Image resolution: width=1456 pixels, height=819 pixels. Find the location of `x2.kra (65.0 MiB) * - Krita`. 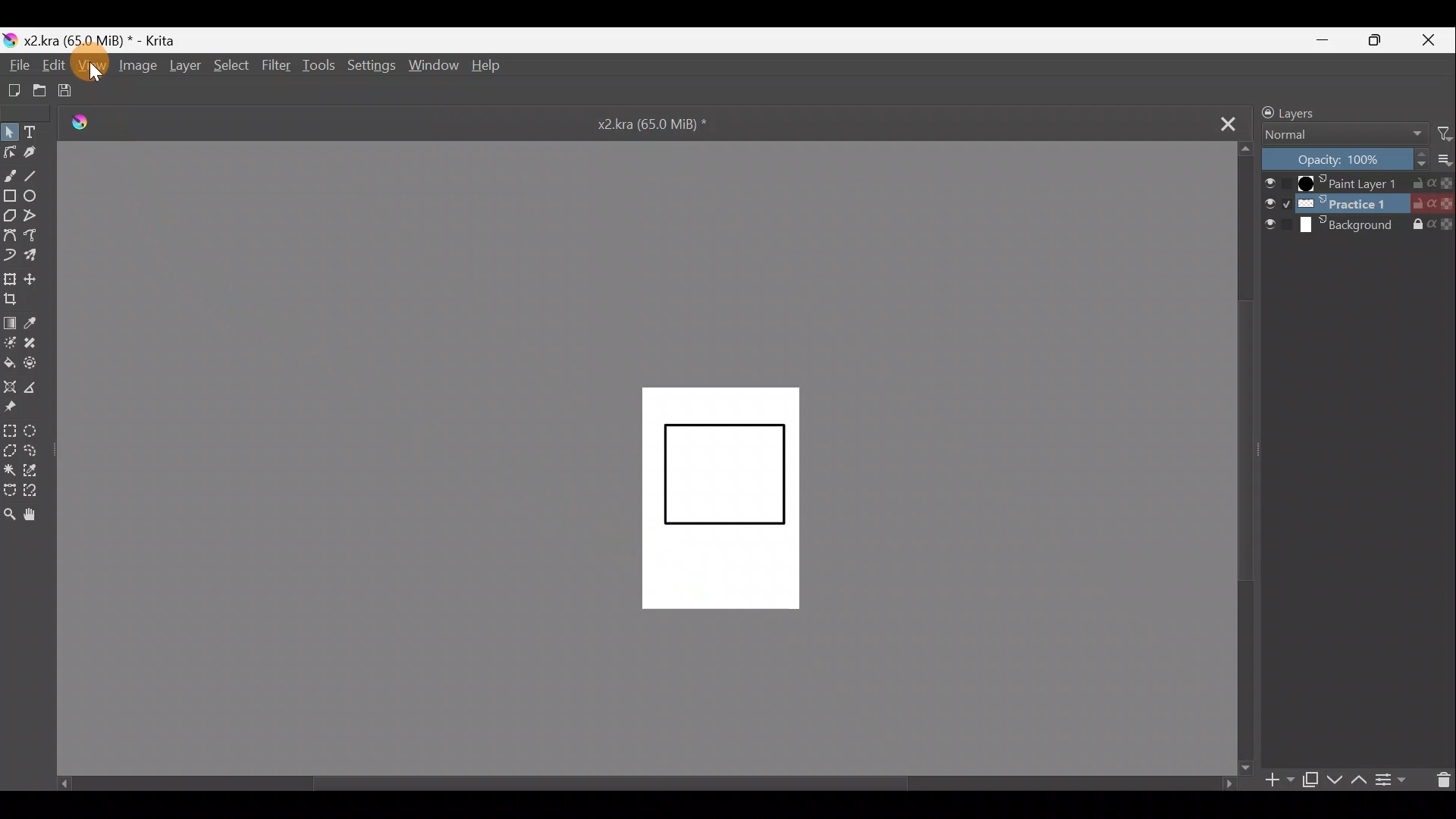

x2.kra (65.0 MiB) * - Krita is located at coordinates (104, 39).